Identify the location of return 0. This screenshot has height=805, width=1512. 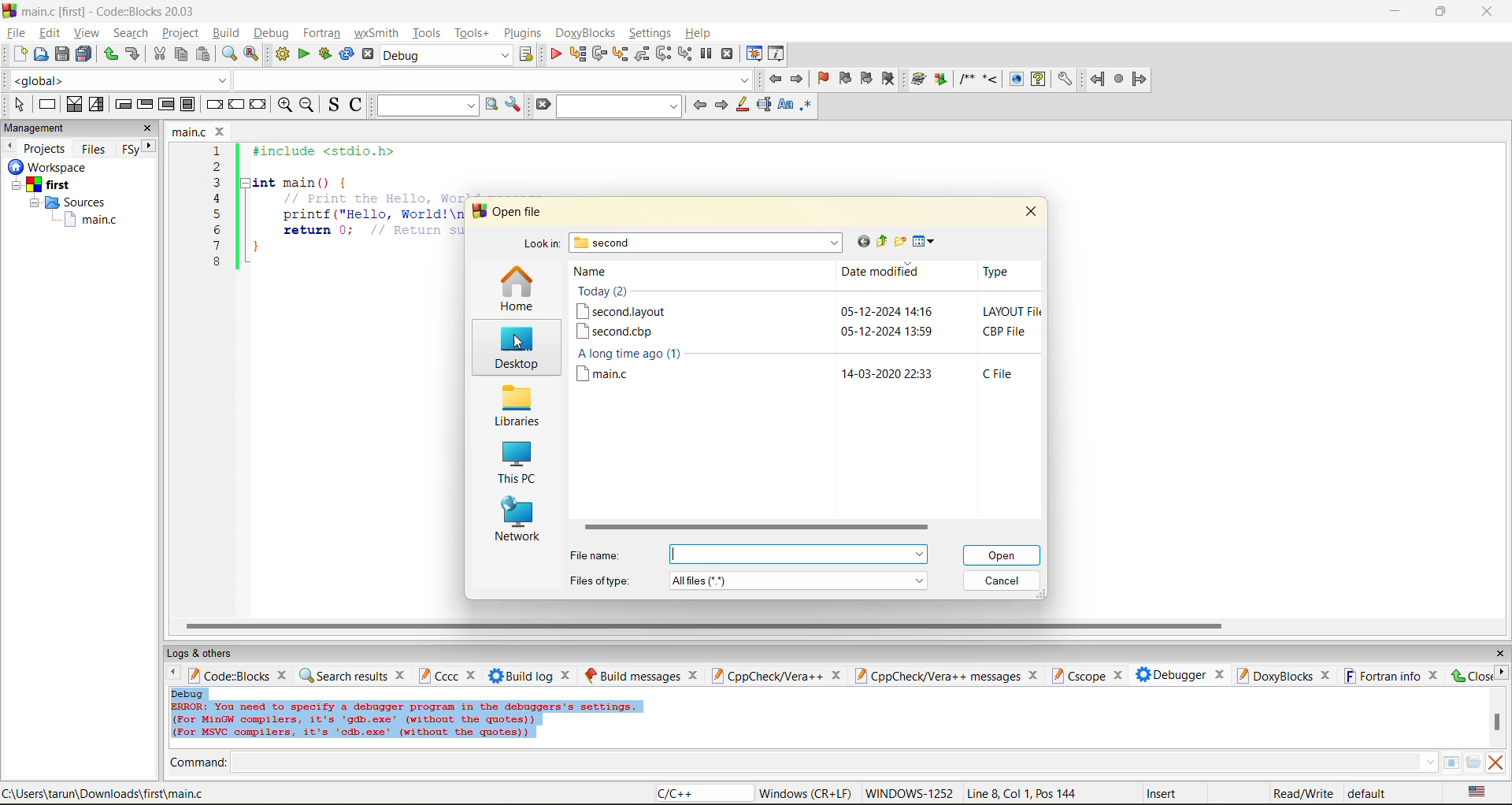
(372, 230).